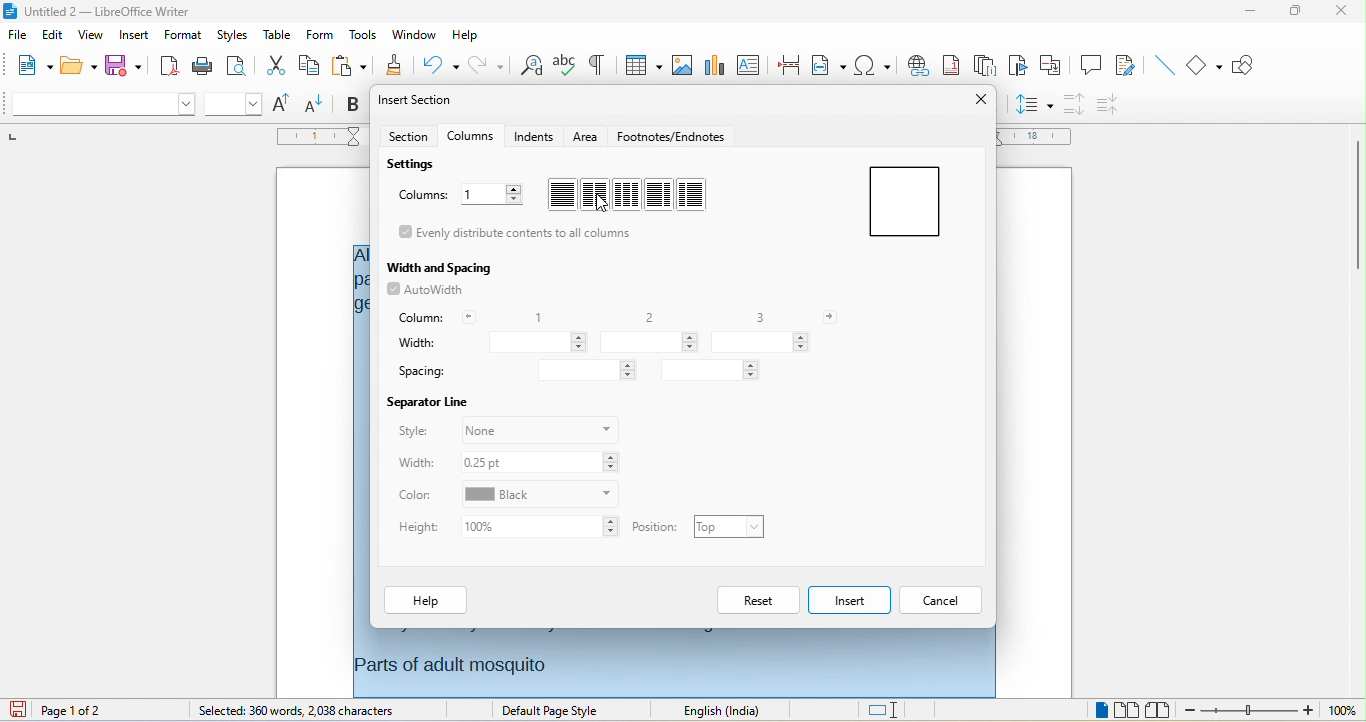 Image resolution: width=1366 pixels, height=722 pixels. Describe the element at coordinates (533, 315) in the screenshot. I see `1` at that location.